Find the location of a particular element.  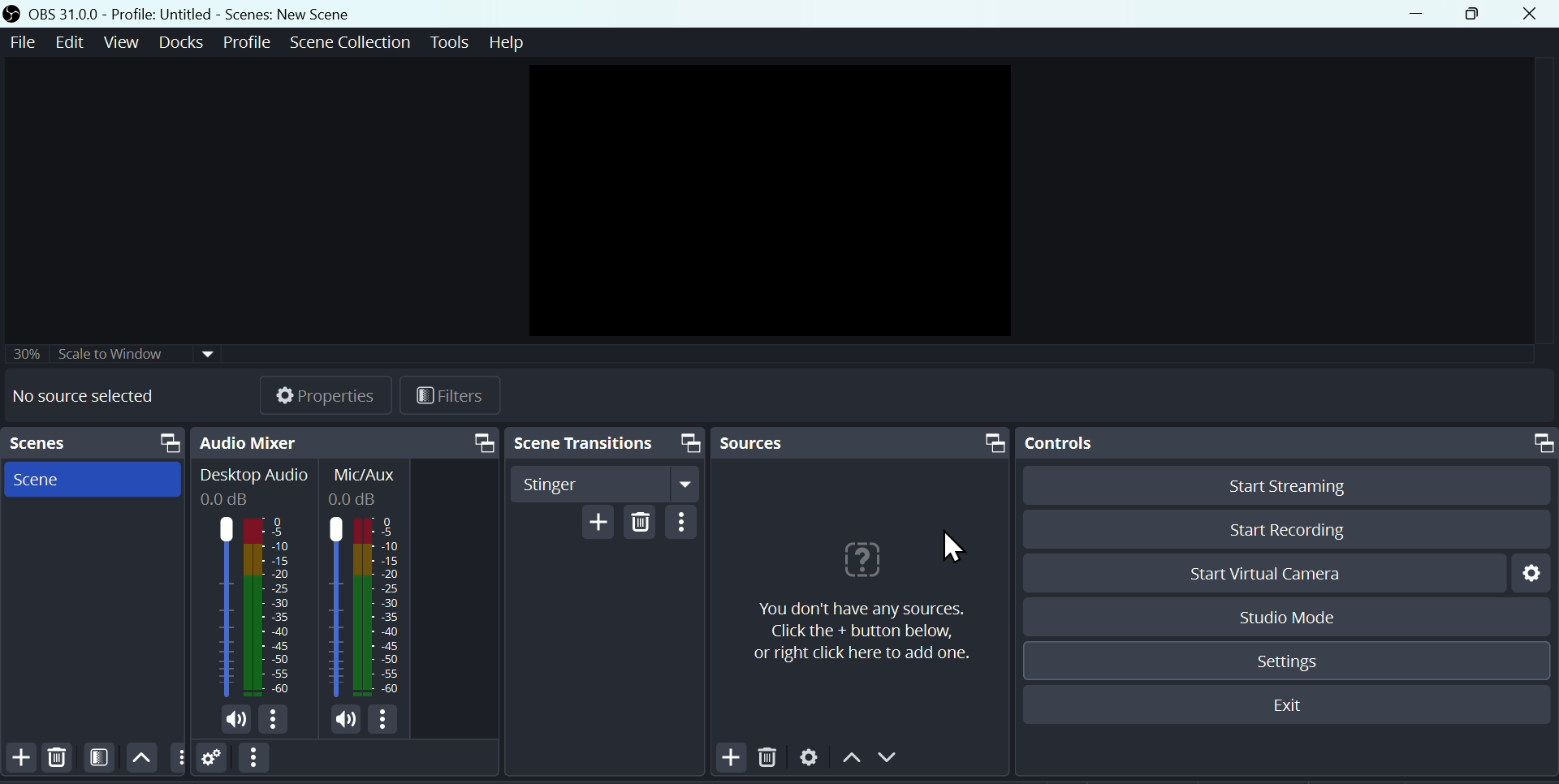

Properties is located at coordinates (332, 393).